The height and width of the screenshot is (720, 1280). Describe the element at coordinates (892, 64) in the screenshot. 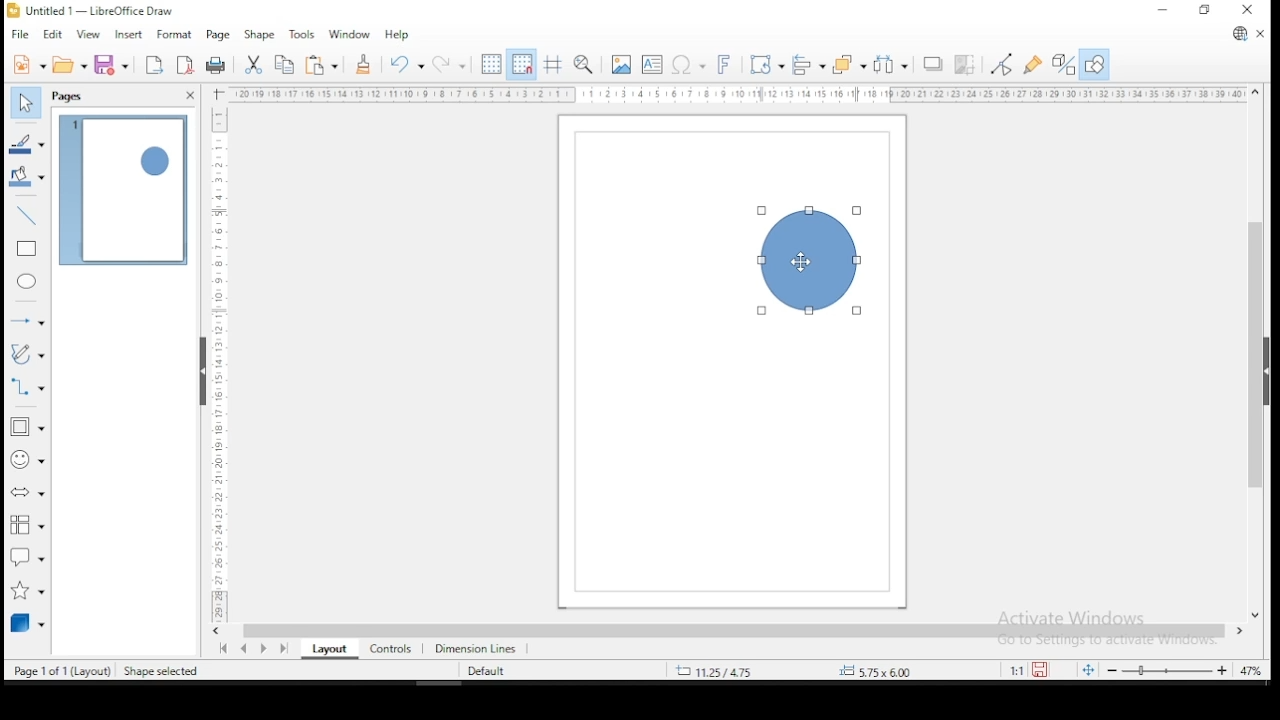

I see `select at leat three items to distribute` at that location.